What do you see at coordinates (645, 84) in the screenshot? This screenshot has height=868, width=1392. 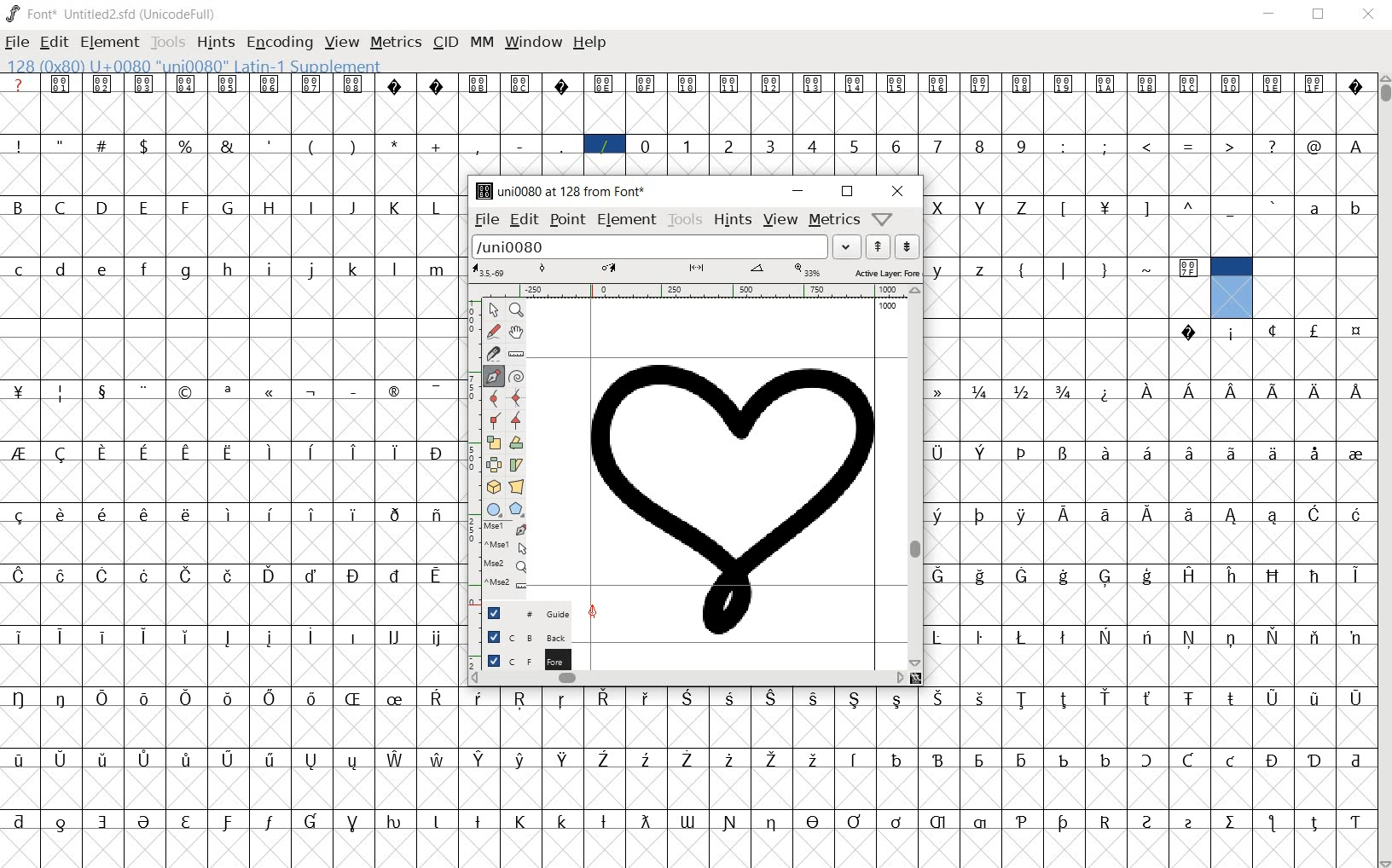 I see `glyph` at bounding box center [645, 84].